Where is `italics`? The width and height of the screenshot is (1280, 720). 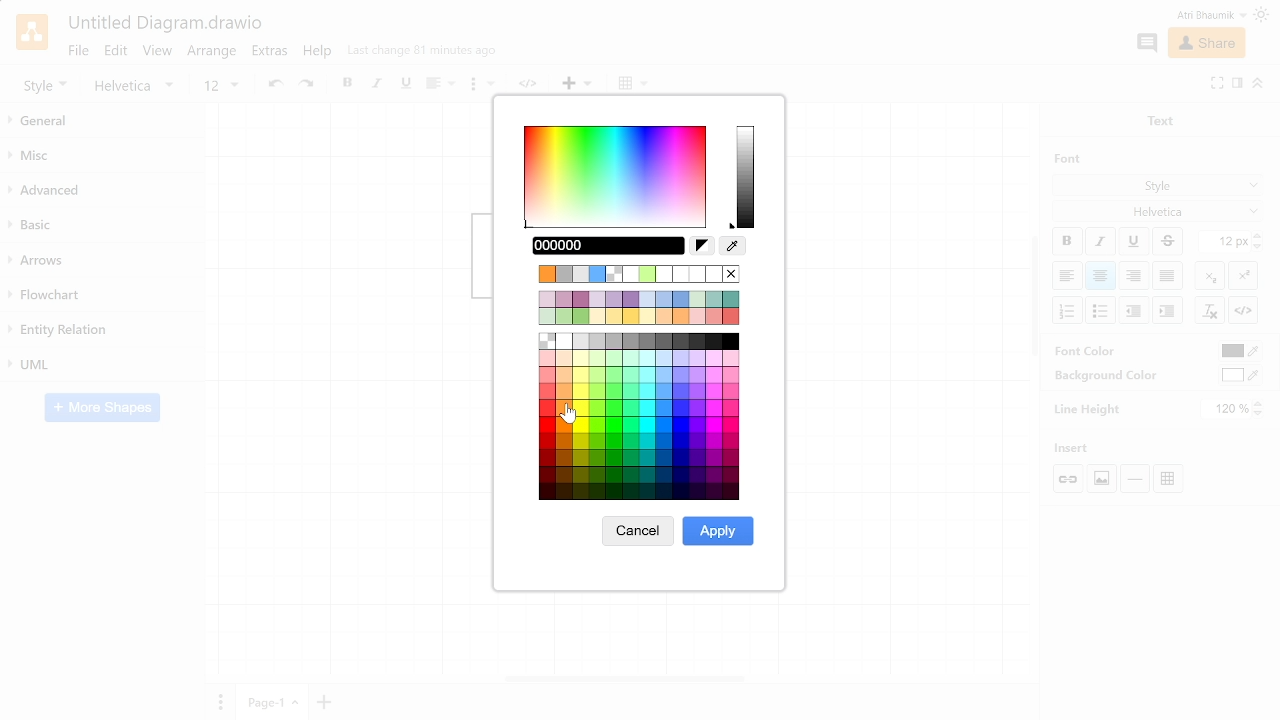 italics is located at coordinates (378, 85).